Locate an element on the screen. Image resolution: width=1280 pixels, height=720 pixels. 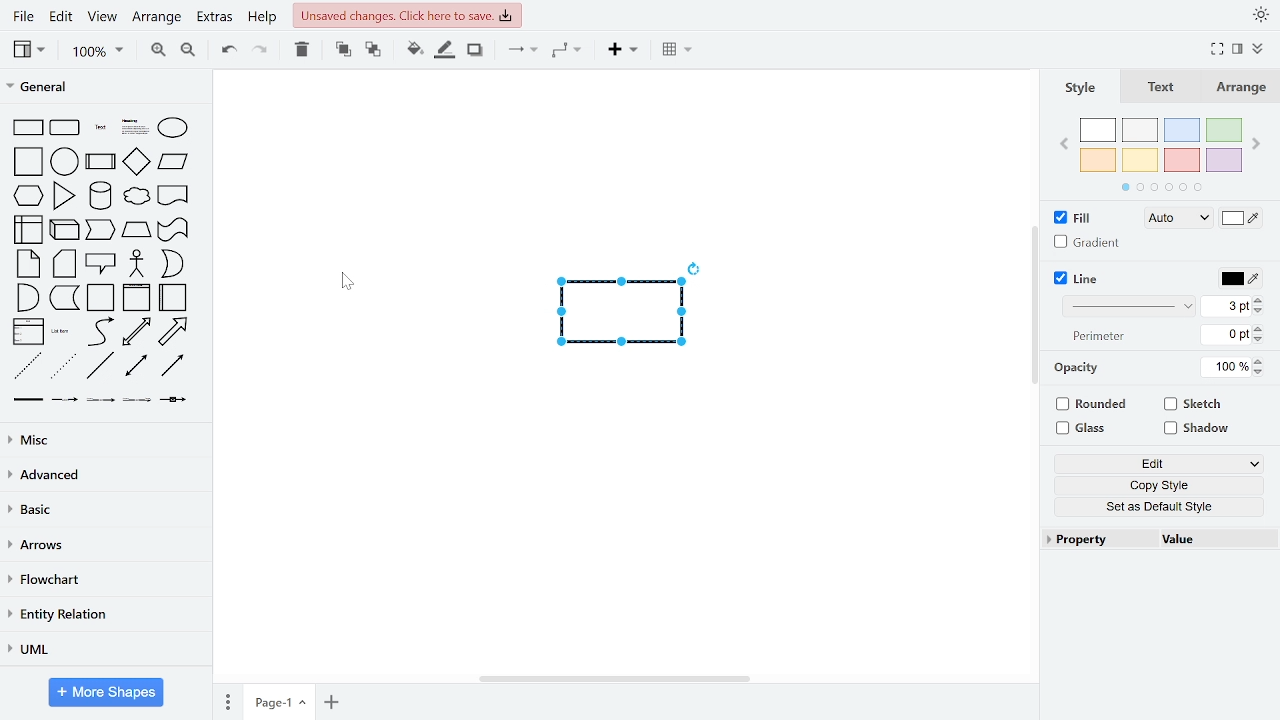
general shapes is located at coordinates (27, 263).